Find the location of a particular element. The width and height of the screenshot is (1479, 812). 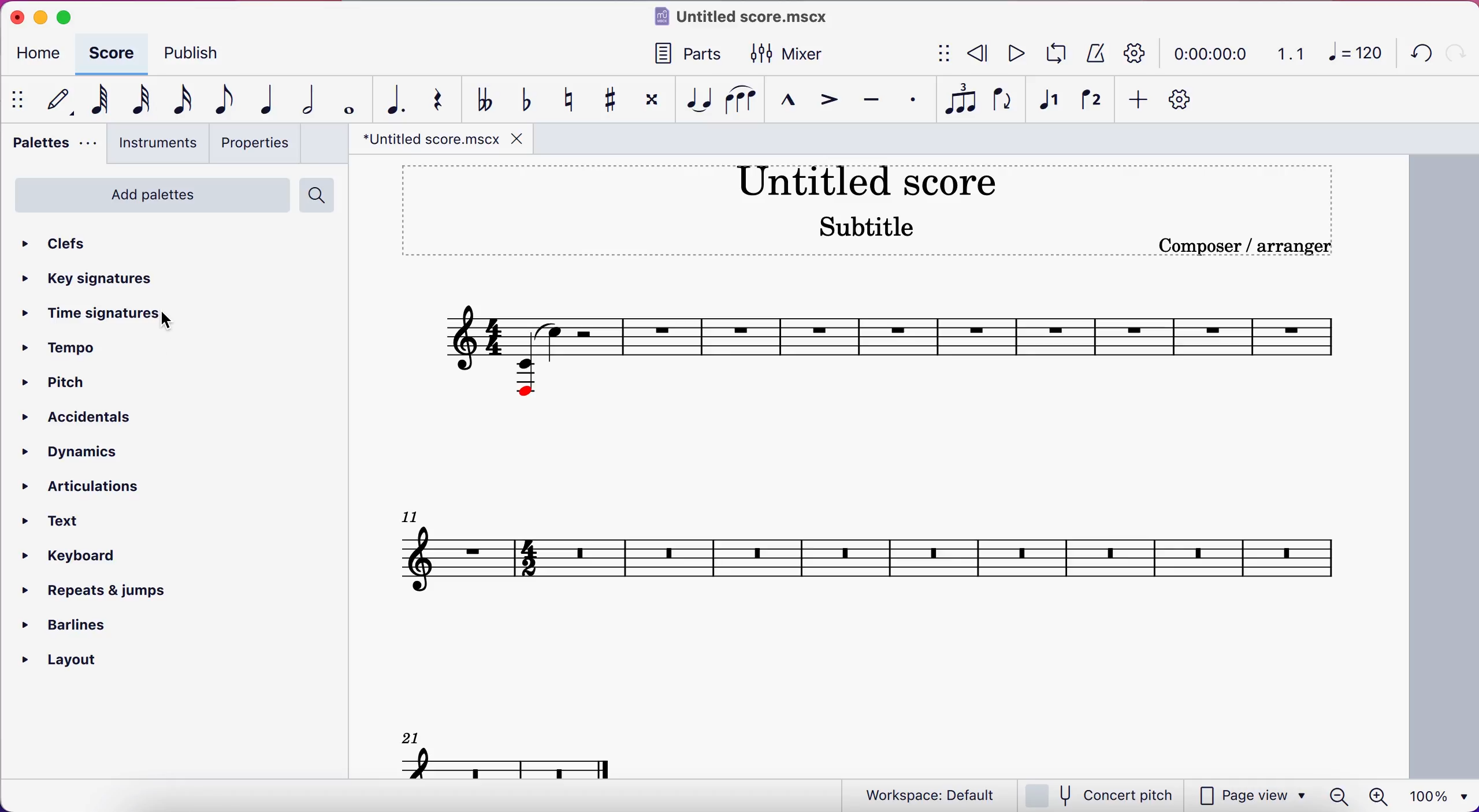

voice2 is located at coordinates (1092, 100).